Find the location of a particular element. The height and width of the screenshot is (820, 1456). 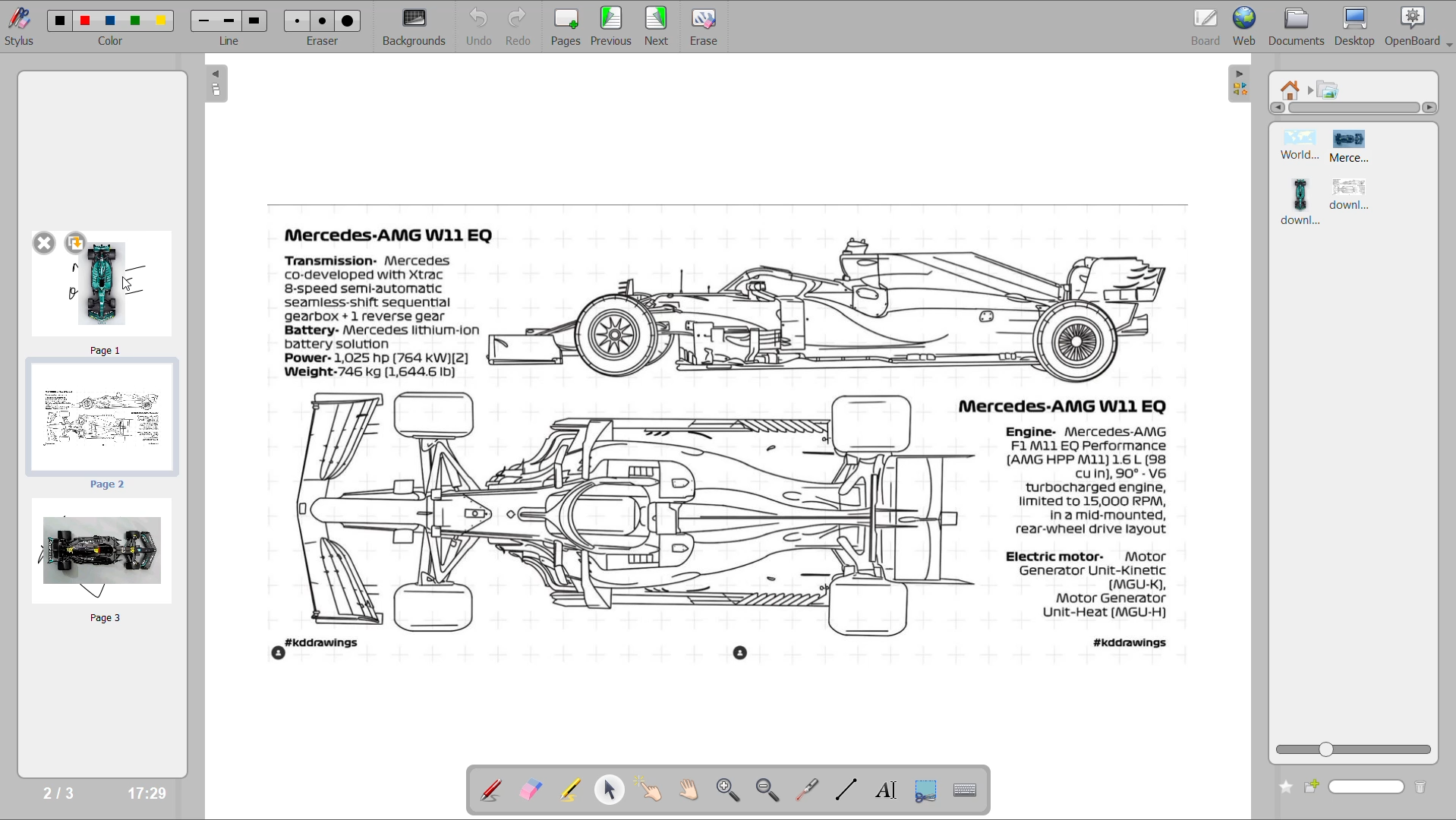

documents is located at coordinates (1298, 27).